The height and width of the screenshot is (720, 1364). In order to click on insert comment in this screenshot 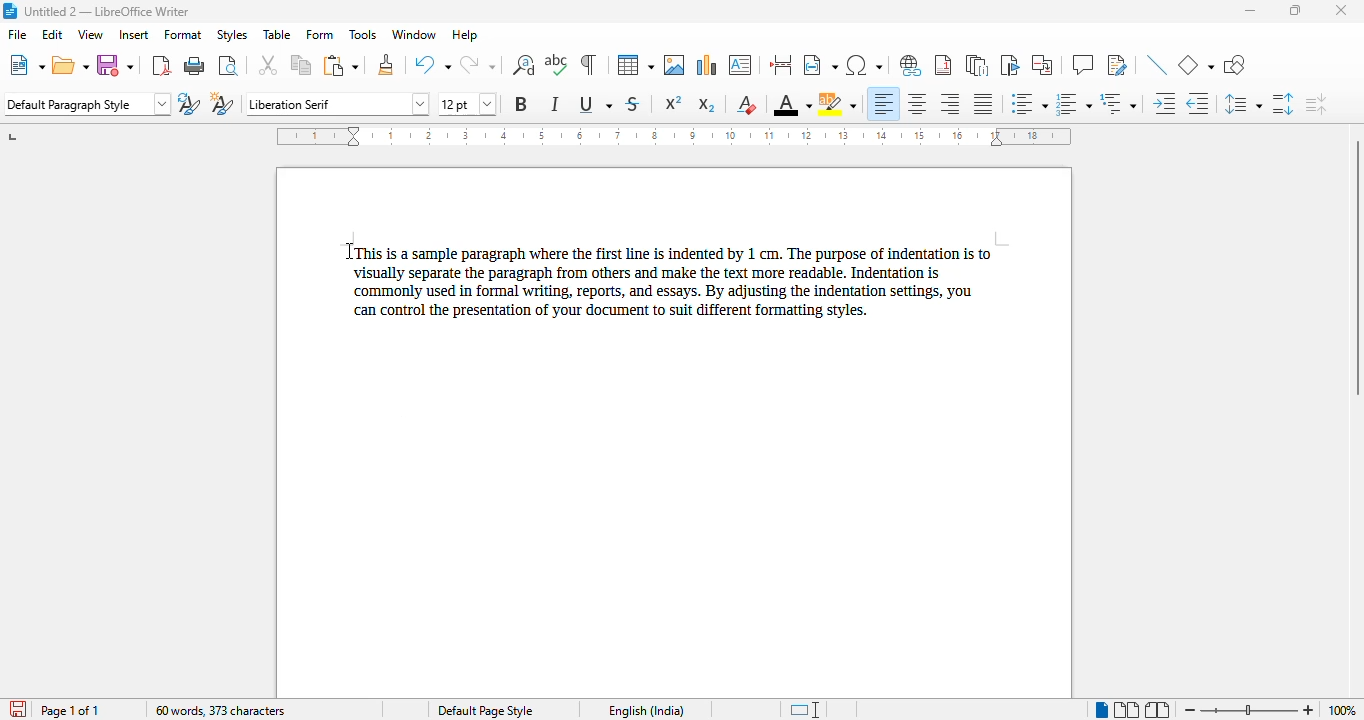, I will do `click(1082, 64)`.